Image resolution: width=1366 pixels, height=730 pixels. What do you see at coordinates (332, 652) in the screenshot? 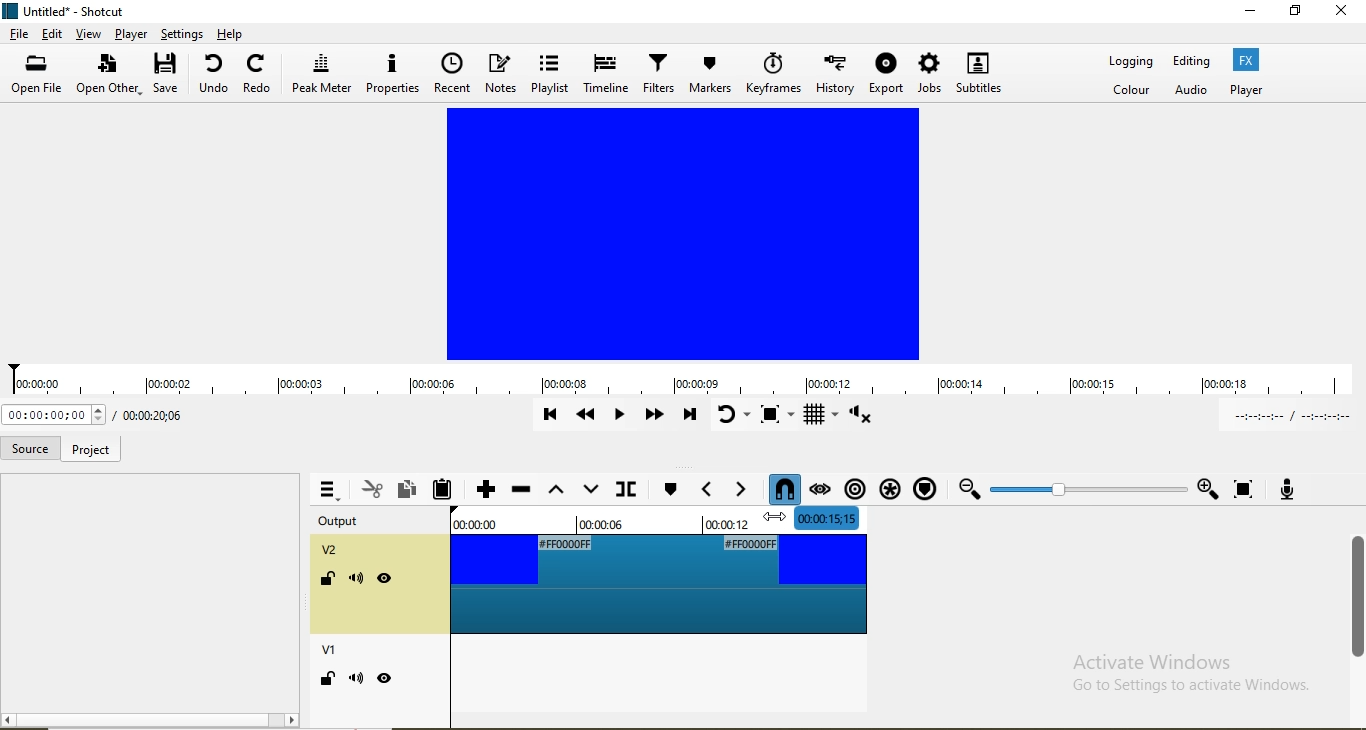
I see `v1` at bounding box center [332, 652].